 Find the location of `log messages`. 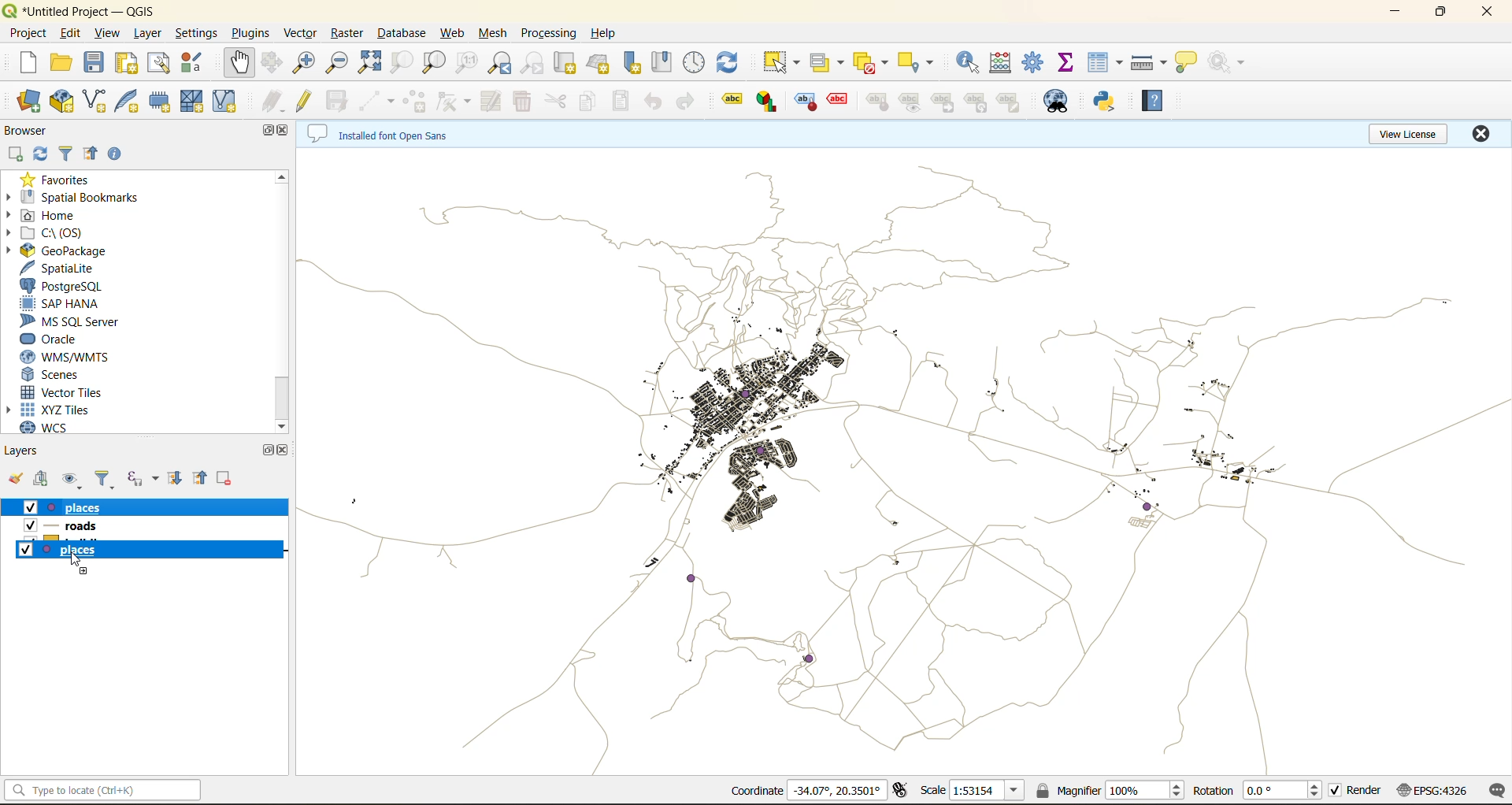

log messages is located at coordinates (1492, 792).